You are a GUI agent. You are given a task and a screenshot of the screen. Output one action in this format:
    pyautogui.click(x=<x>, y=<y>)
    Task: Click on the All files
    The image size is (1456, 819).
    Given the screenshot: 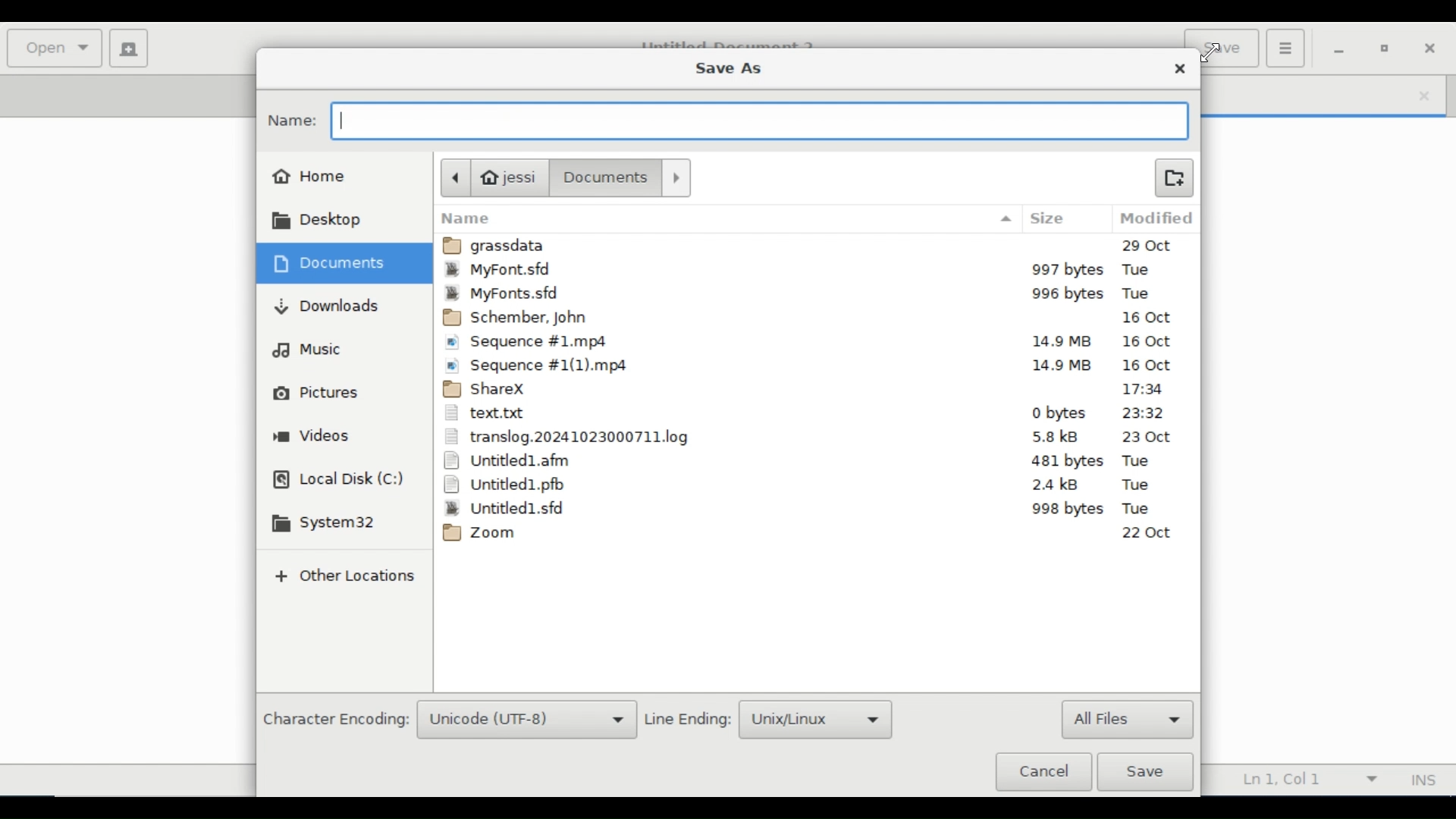 What is the action you would take?
    pyautogui.click(x=1128, y=718)
    